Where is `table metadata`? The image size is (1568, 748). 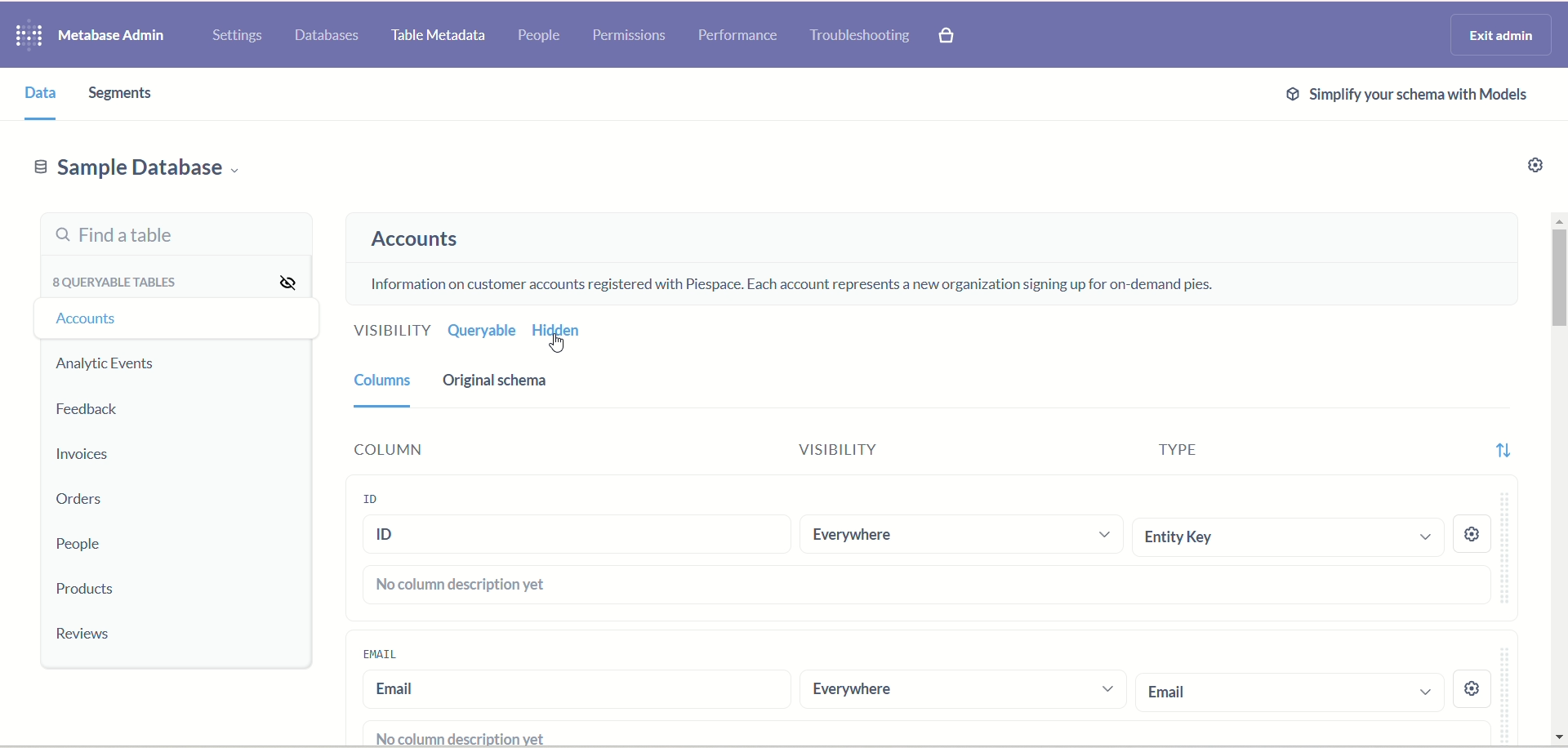
table metadata is located at coordinates (439, 36).